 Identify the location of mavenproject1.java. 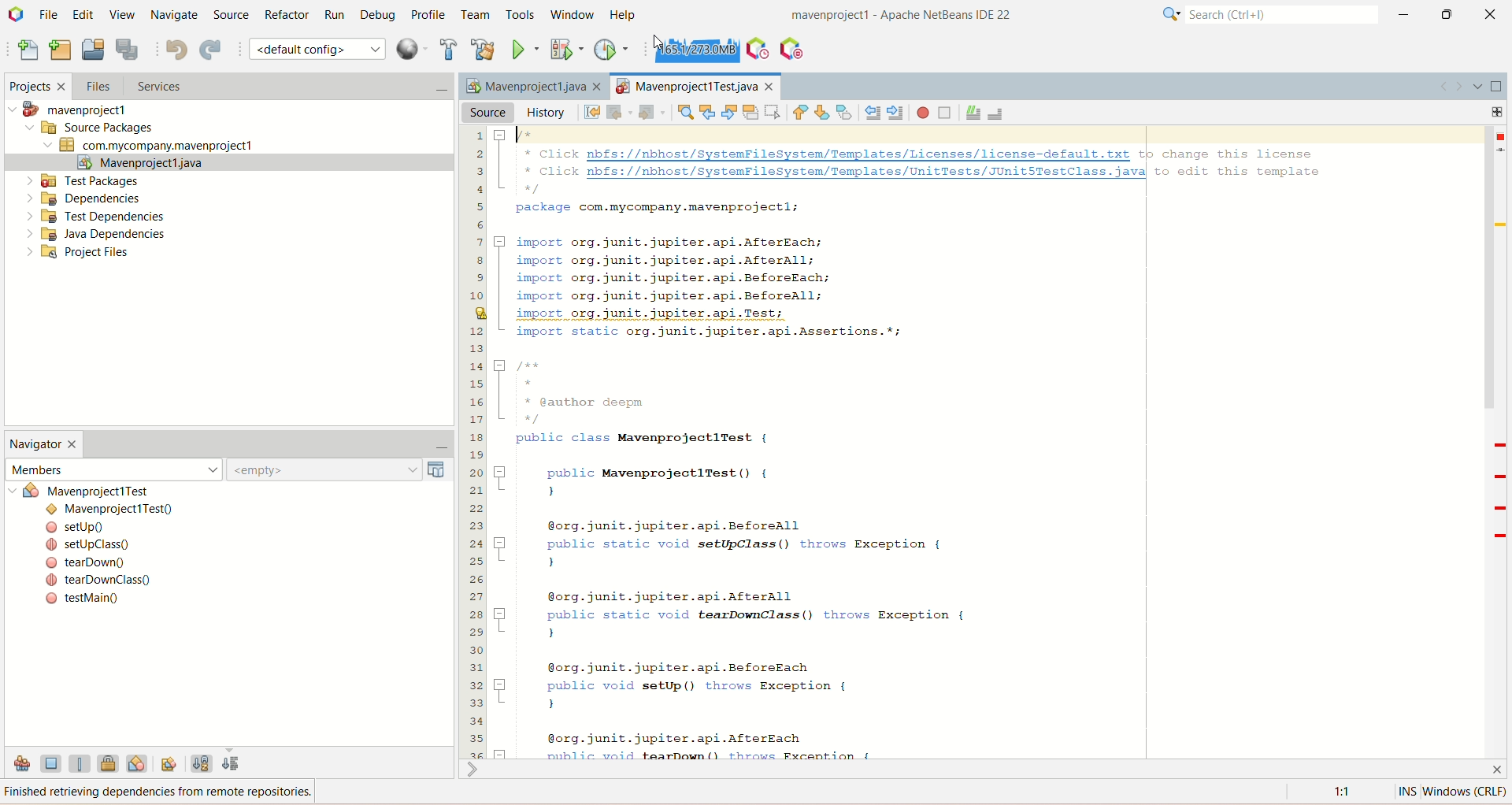
(141, 165).